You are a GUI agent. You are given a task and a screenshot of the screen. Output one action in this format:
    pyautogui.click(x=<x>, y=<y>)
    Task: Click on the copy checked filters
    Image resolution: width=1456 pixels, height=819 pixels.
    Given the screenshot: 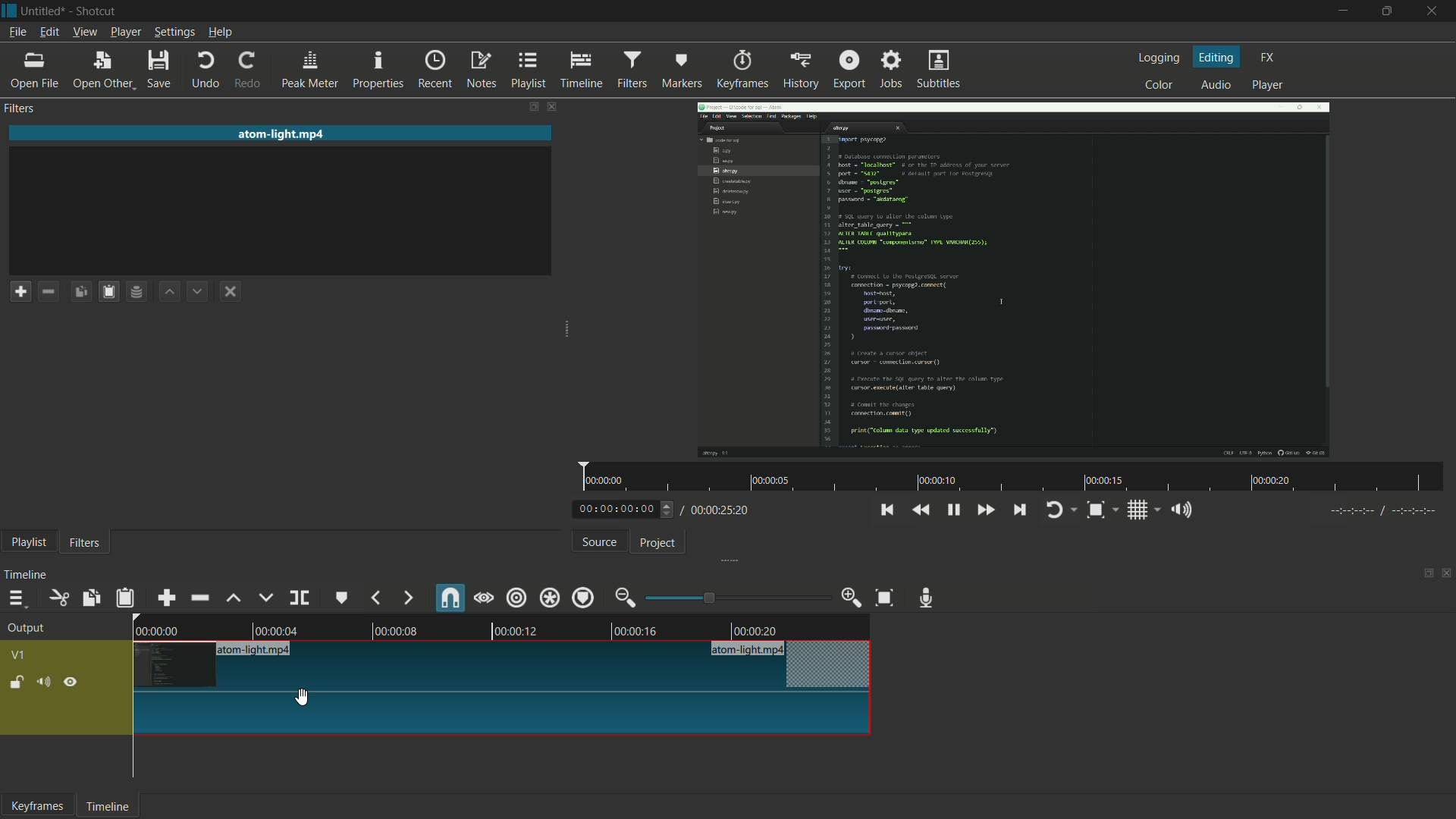 What is the action you would take?
    pyautogui.click(x=80, y=290)
    